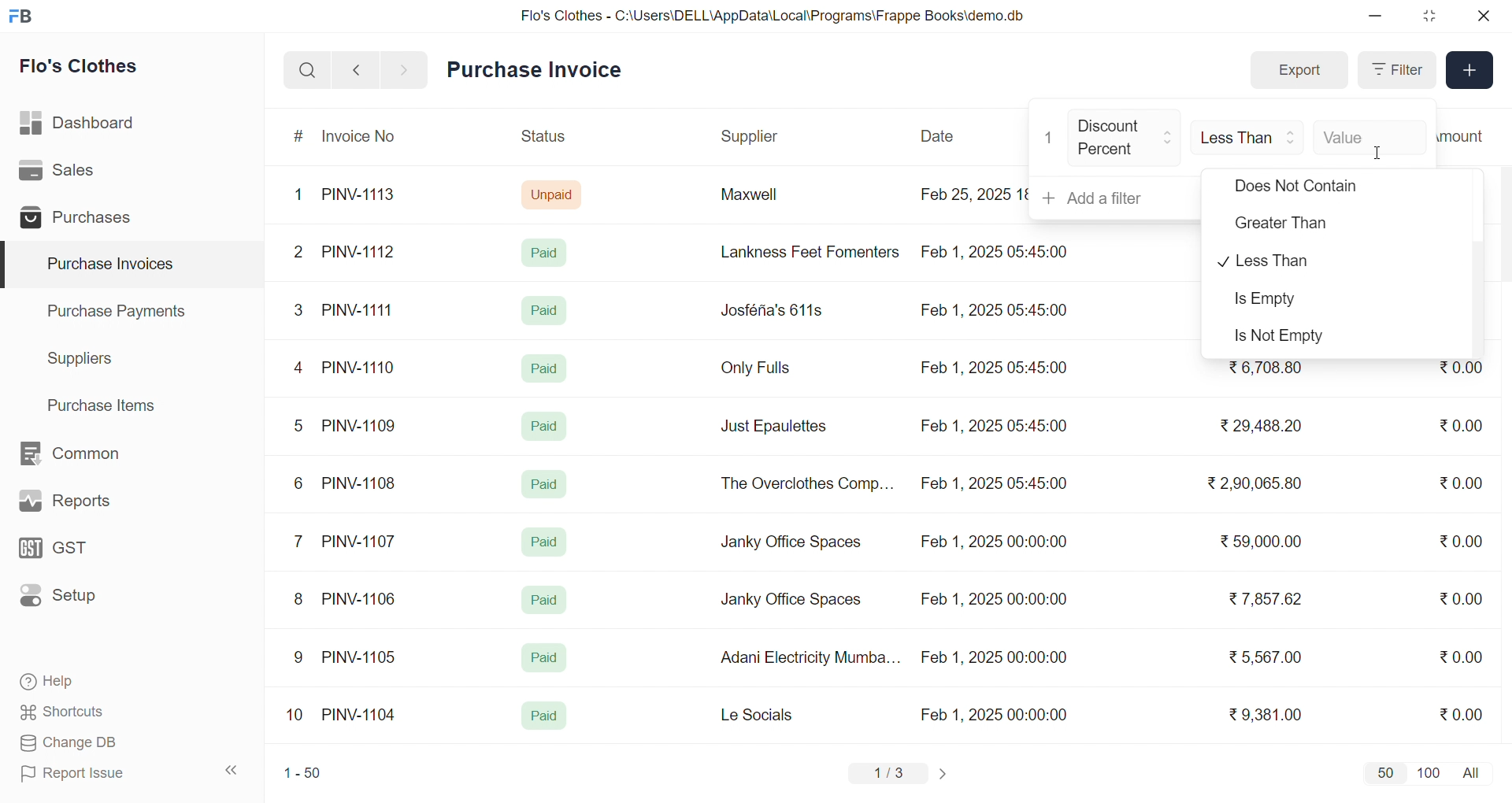  I want to click on Sales, so click(81, 173).